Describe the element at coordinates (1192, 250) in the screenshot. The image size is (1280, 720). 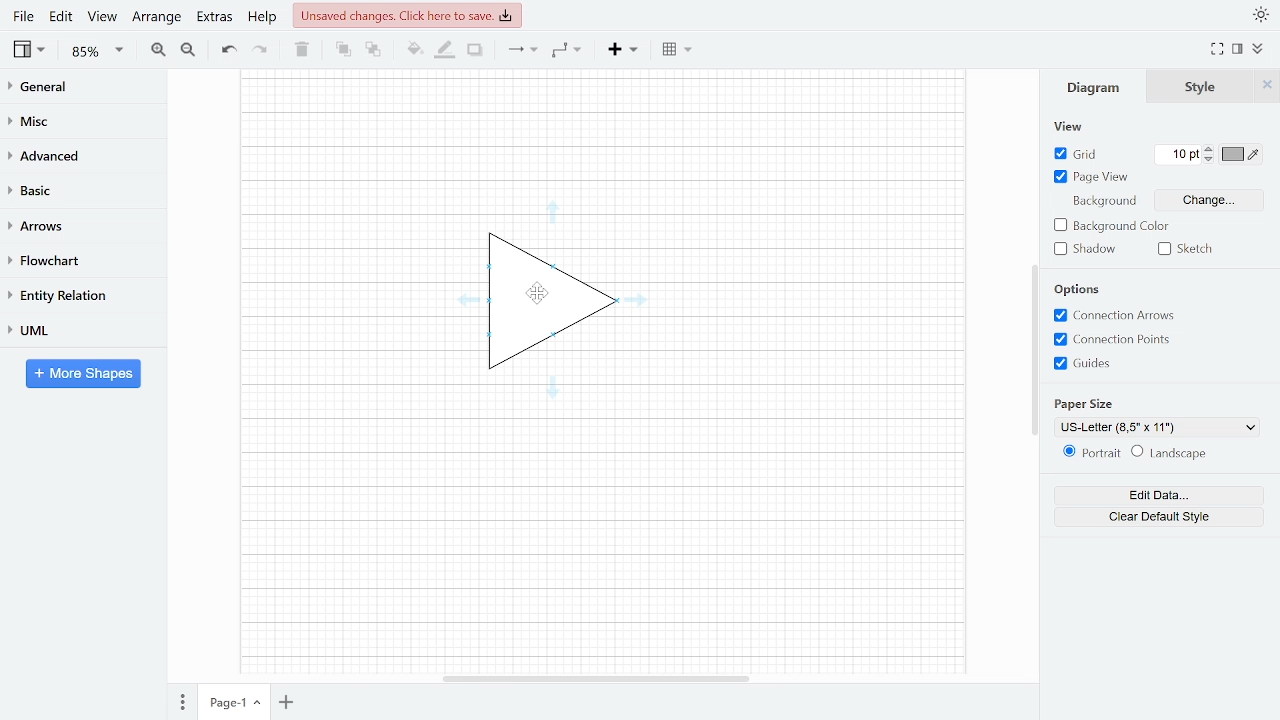
I see `Sketch` at that location.